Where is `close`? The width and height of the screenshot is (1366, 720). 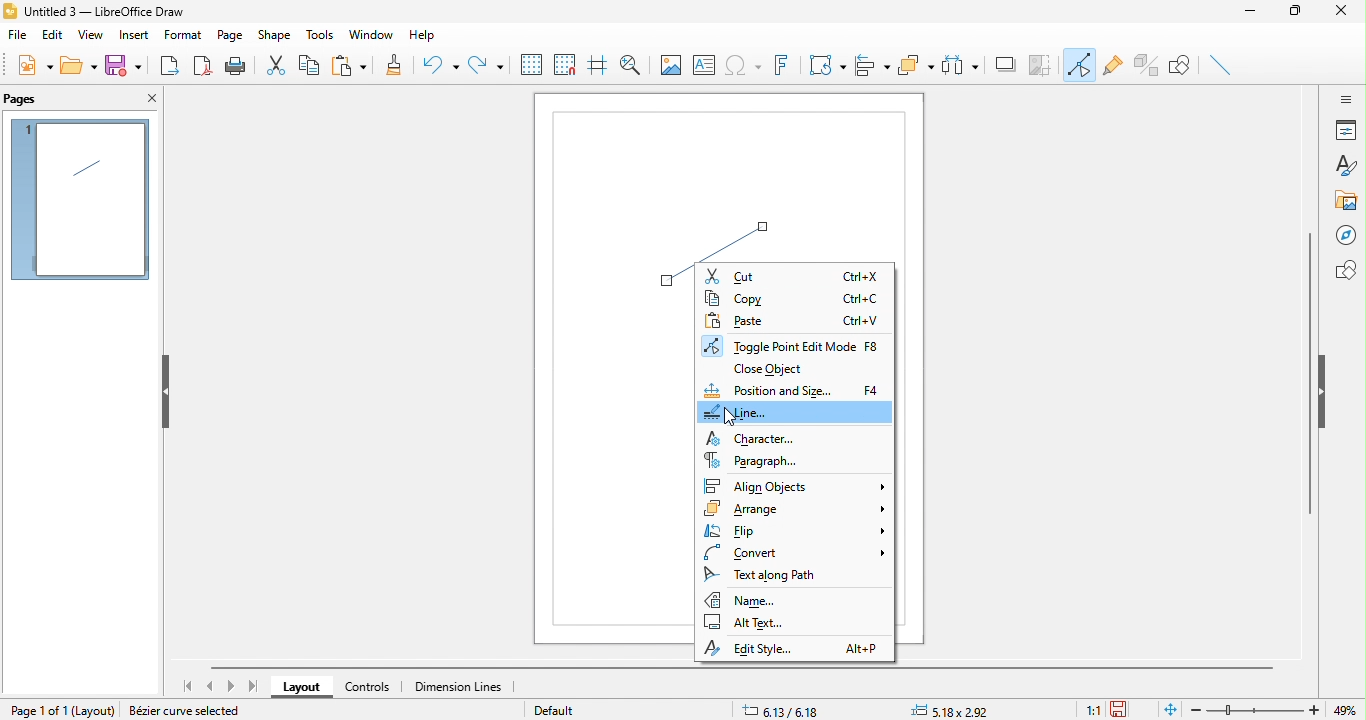 close is located at coordinates (1347, 15).